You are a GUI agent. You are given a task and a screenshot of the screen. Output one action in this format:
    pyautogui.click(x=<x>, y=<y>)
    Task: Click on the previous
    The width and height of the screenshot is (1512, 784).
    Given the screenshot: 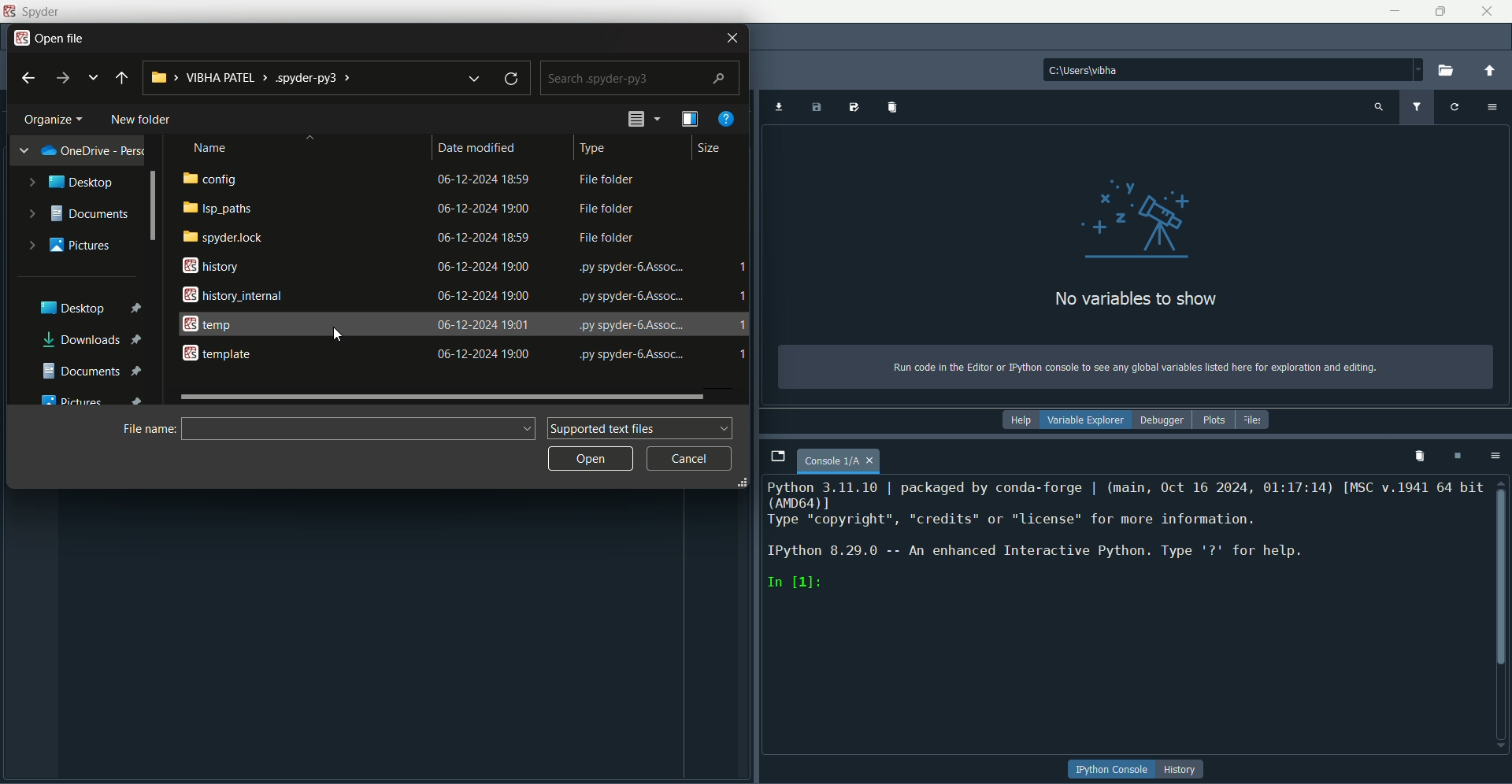 What is the action you would take?
    pyautogui.click(x=121, y=80)
    